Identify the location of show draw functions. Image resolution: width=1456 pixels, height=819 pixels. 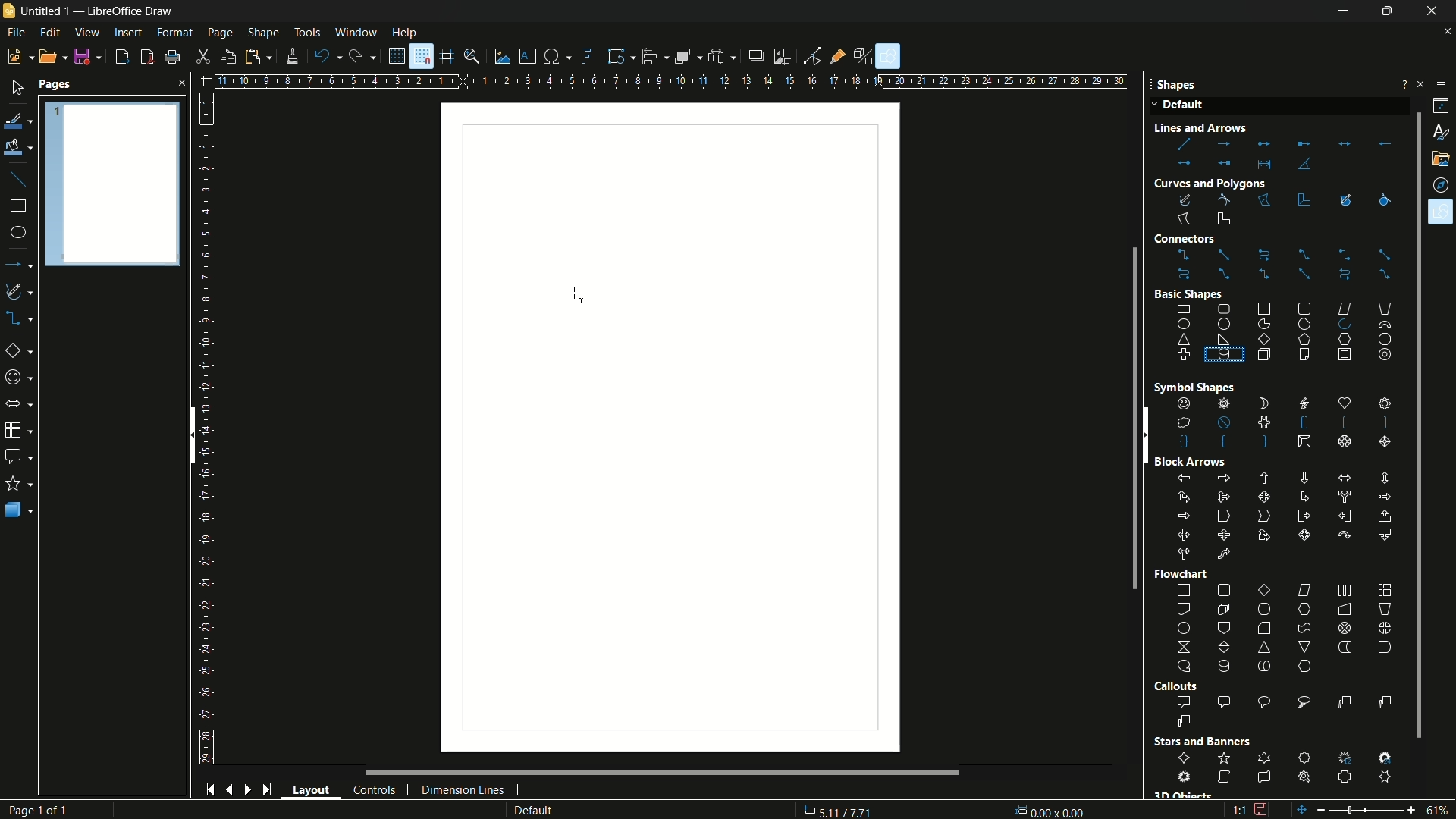
(887, 56).